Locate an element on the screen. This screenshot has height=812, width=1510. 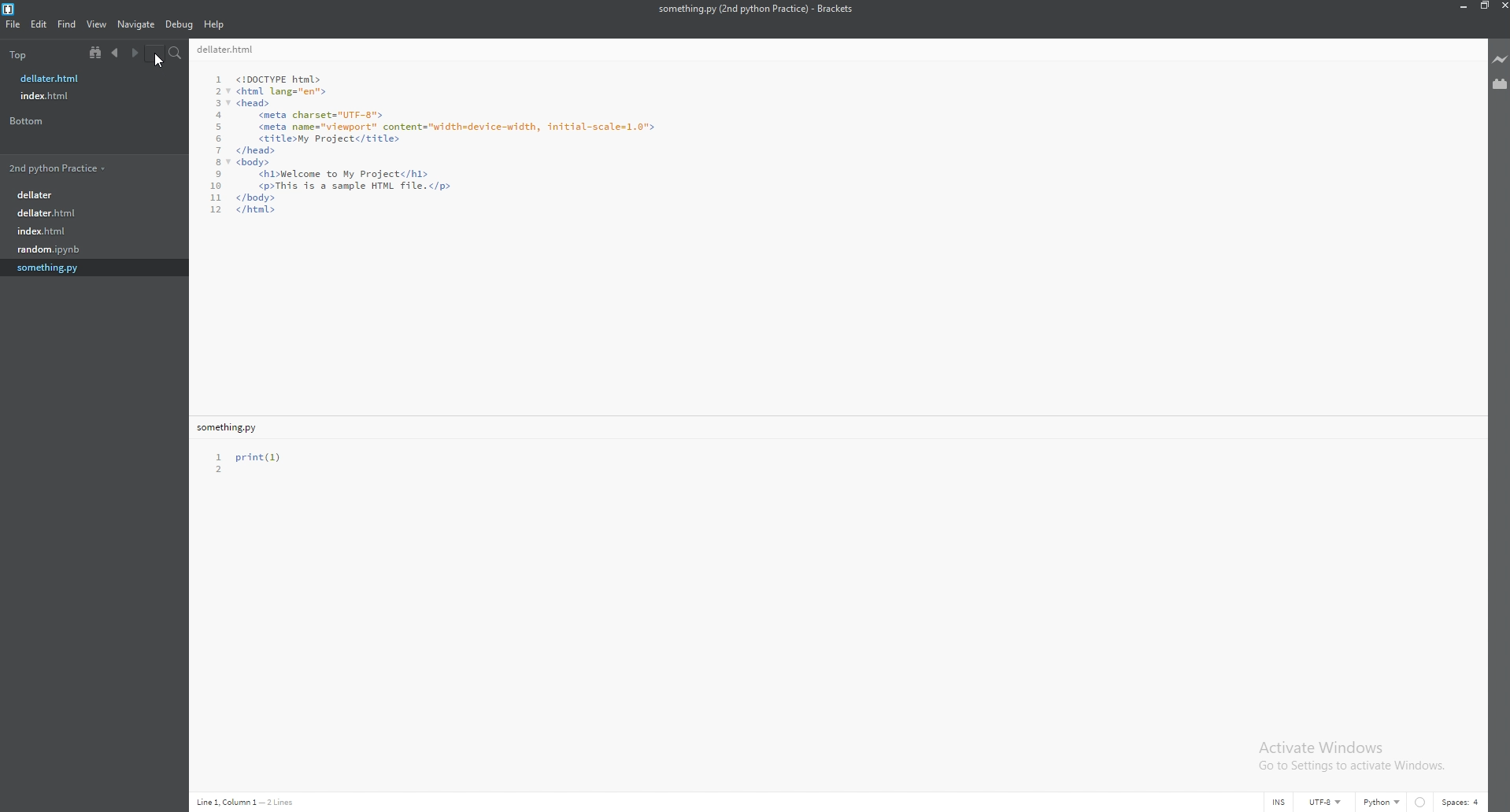
tree view is located at coordinates (95, 53).